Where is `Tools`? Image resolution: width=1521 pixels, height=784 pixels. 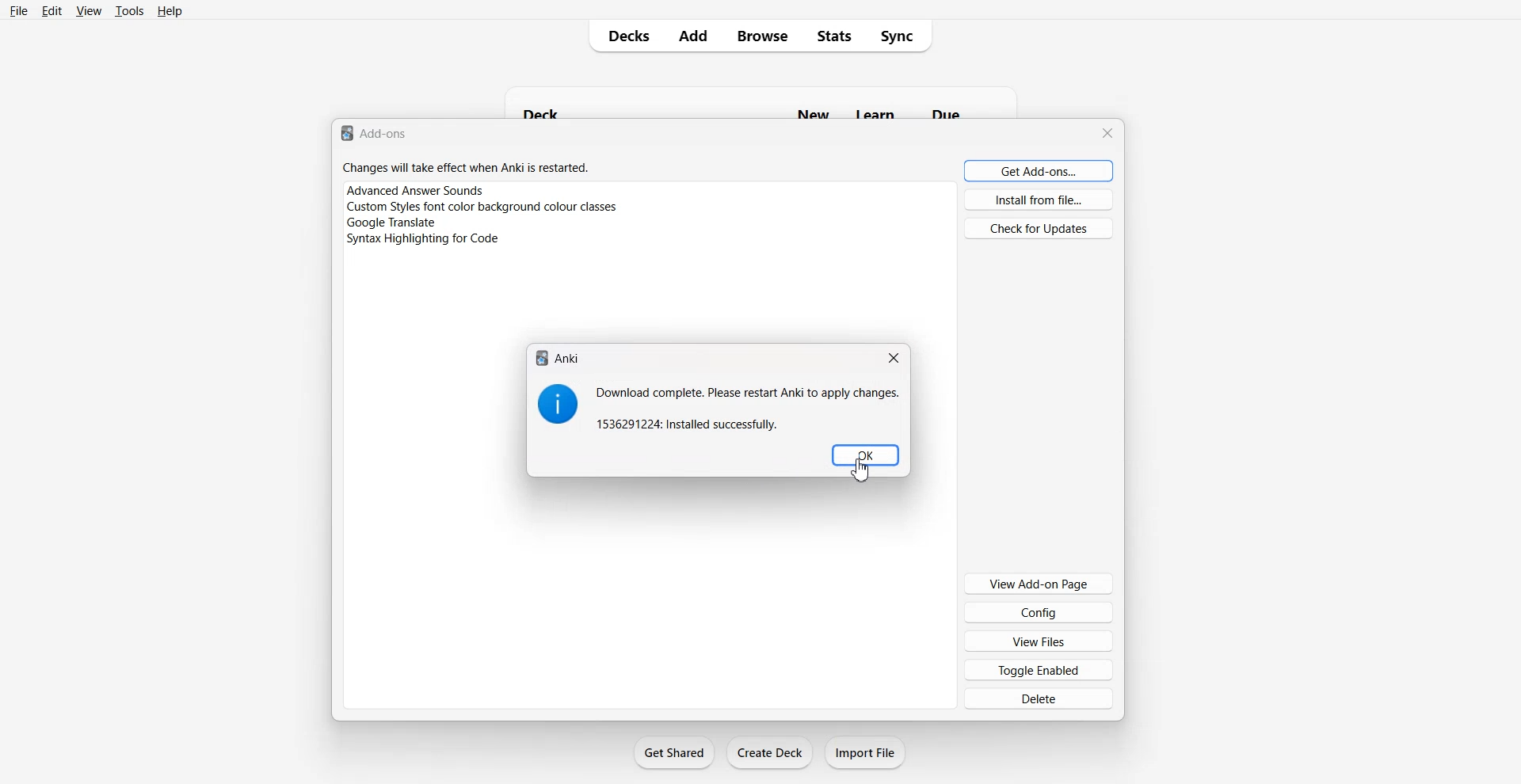 Tools is located at coordinates (129, 10).